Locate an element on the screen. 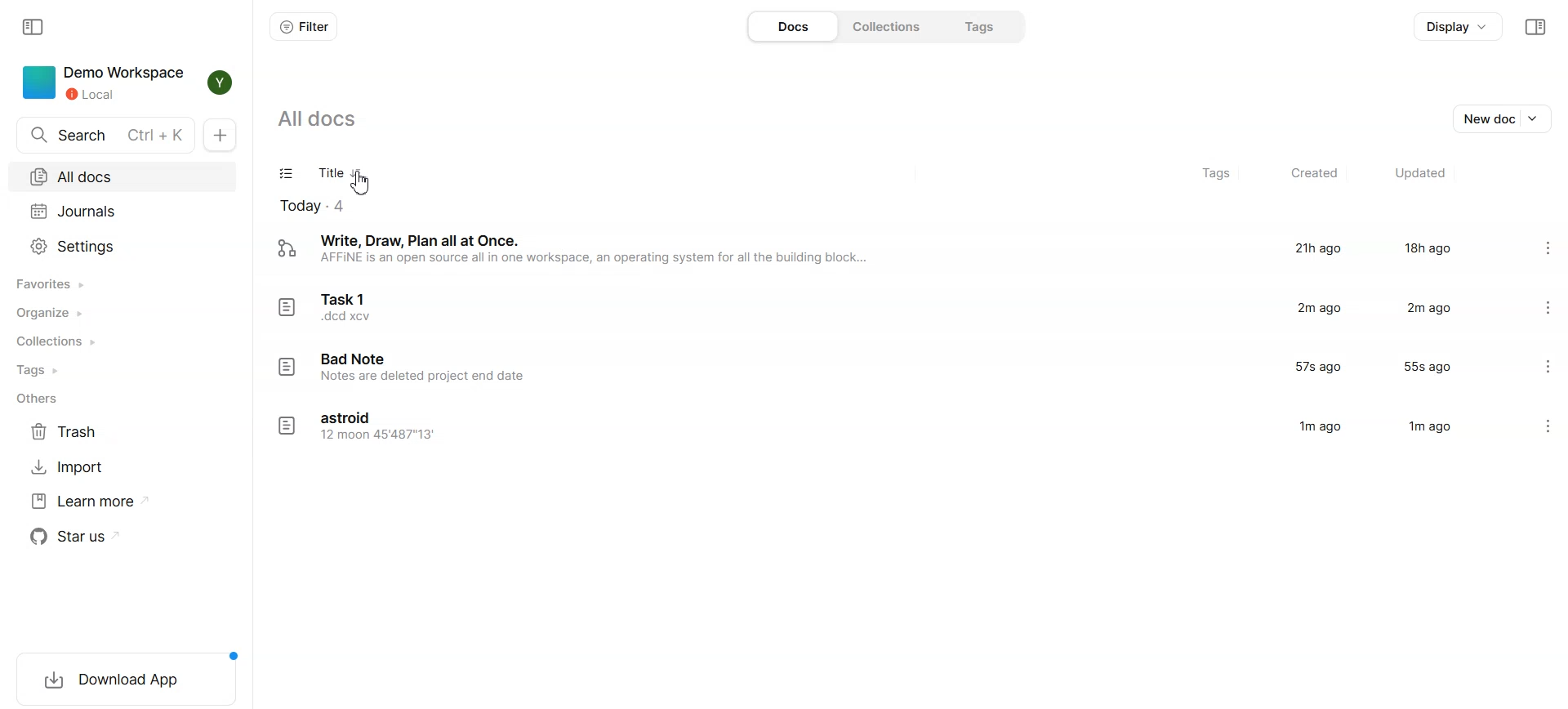 The height and width of the screenshot is (709, 1568). AFFINE is an open source all in one workspace, an operating system for all the building block... is located at coordinates (599, 259).